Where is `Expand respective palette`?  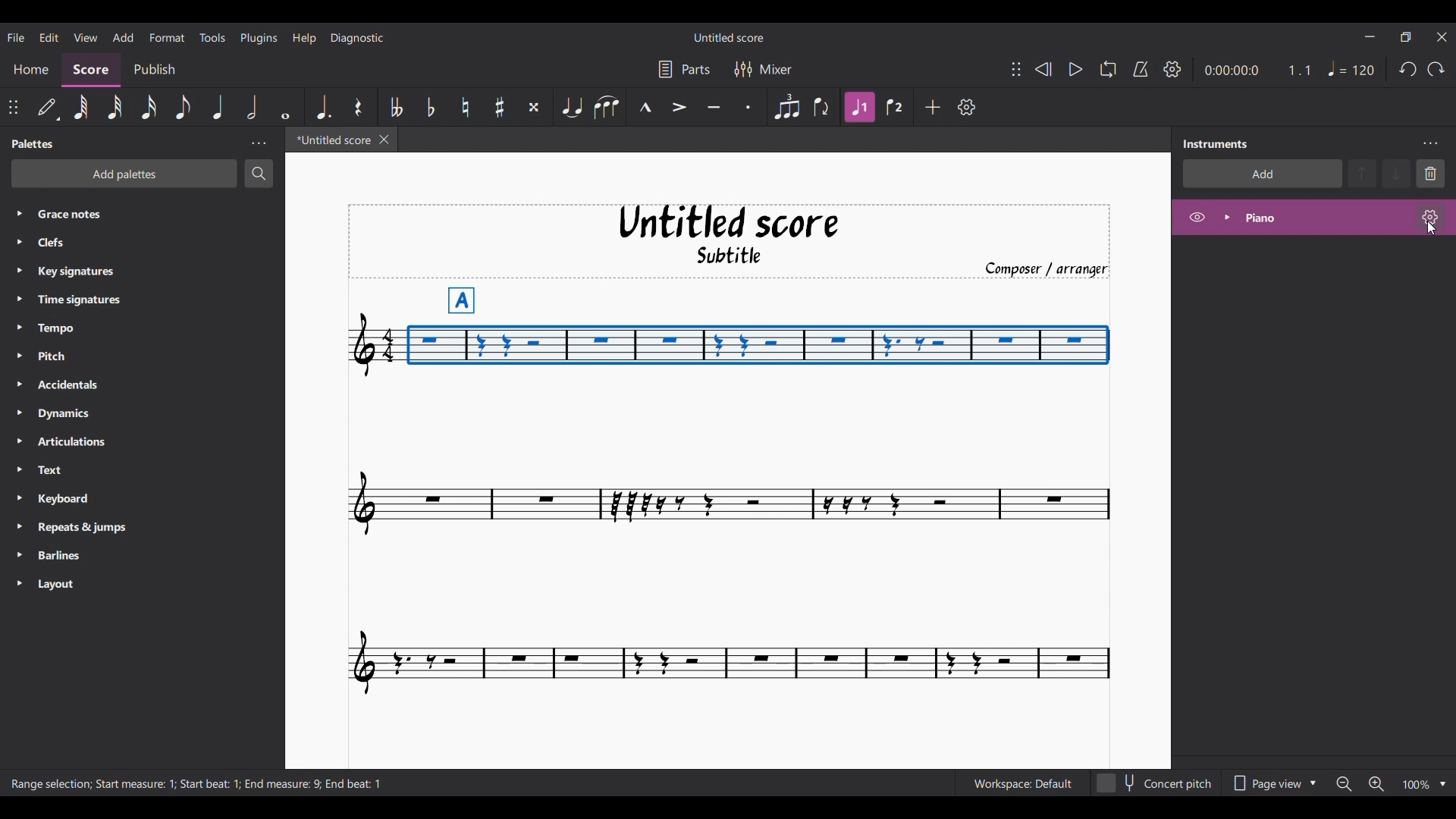
Expand respective palette is located at coordinates (14, 398).